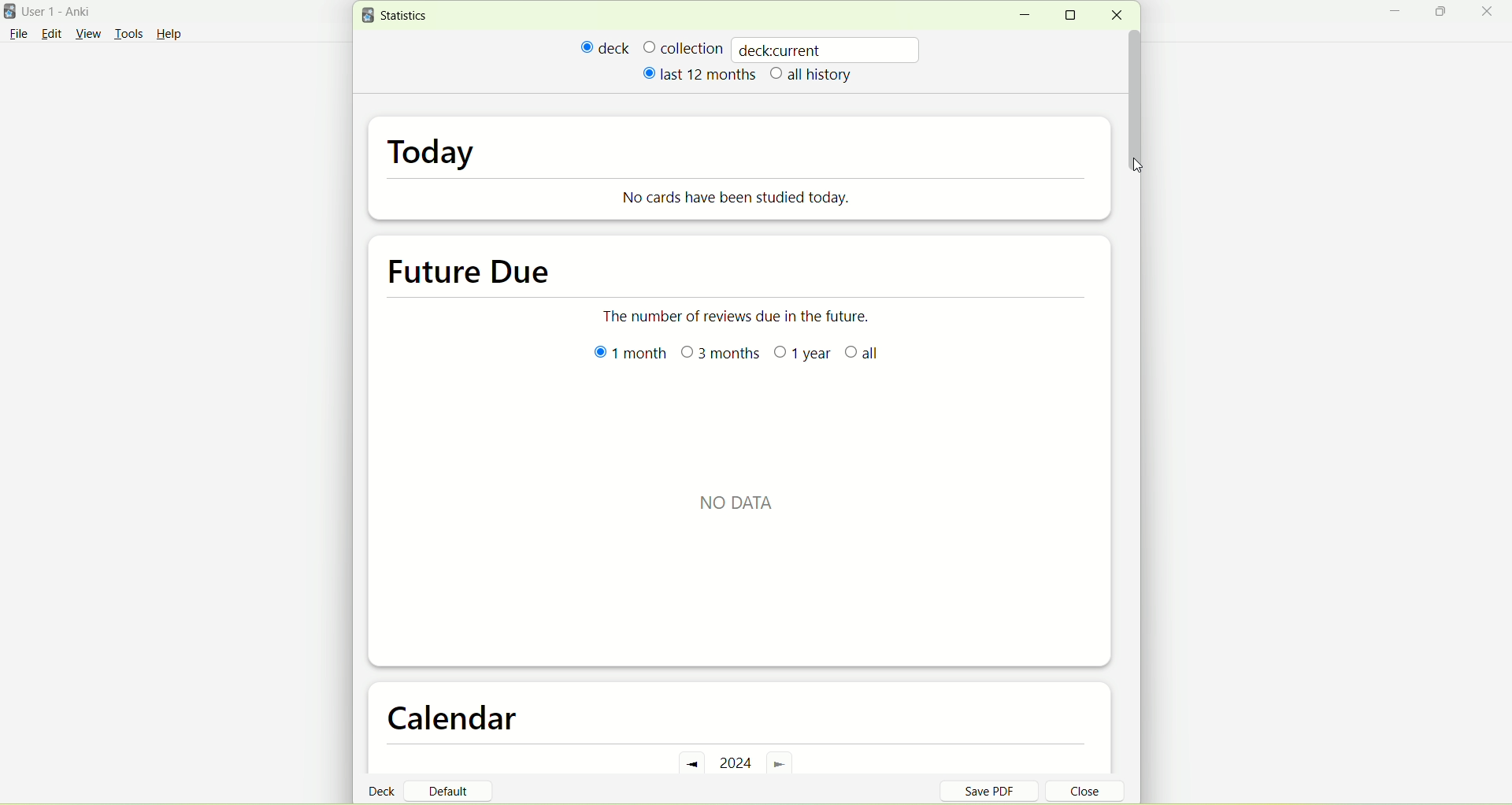  I want to click on maximize, so click(1443, 14).